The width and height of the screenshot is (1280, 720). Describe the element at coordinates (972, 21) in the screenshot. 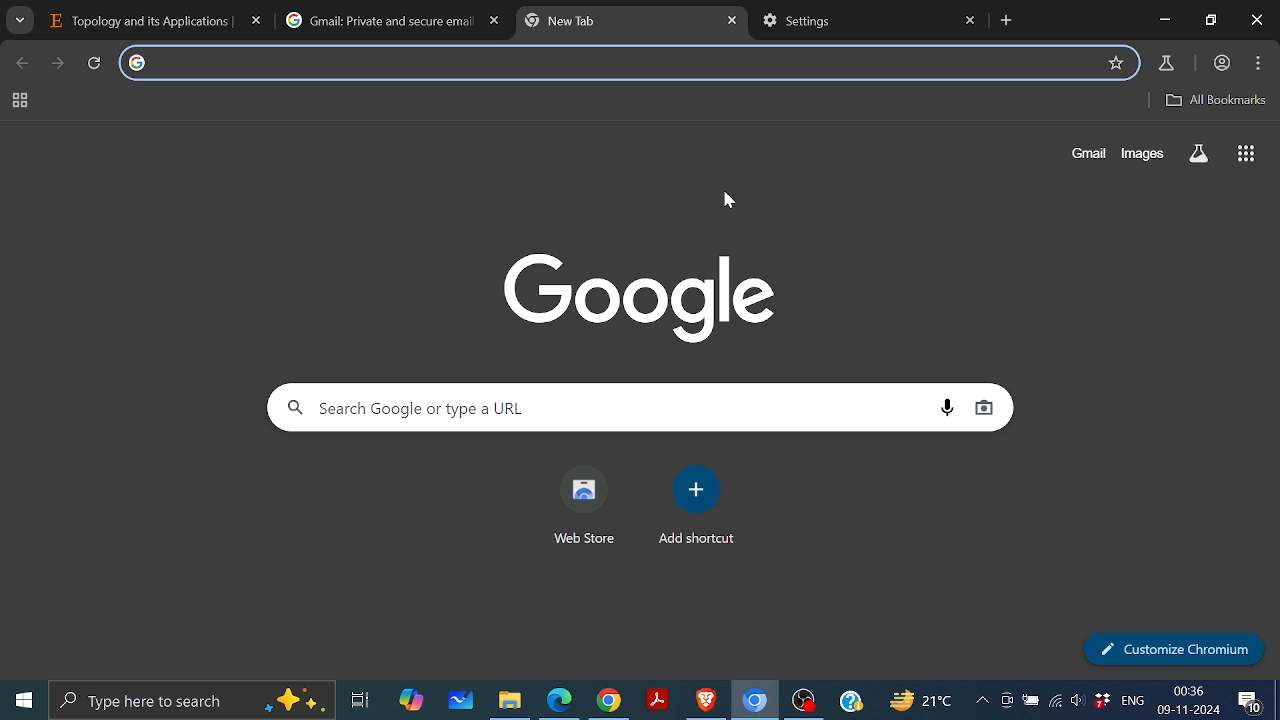

I see `Close settings tab` at that location.